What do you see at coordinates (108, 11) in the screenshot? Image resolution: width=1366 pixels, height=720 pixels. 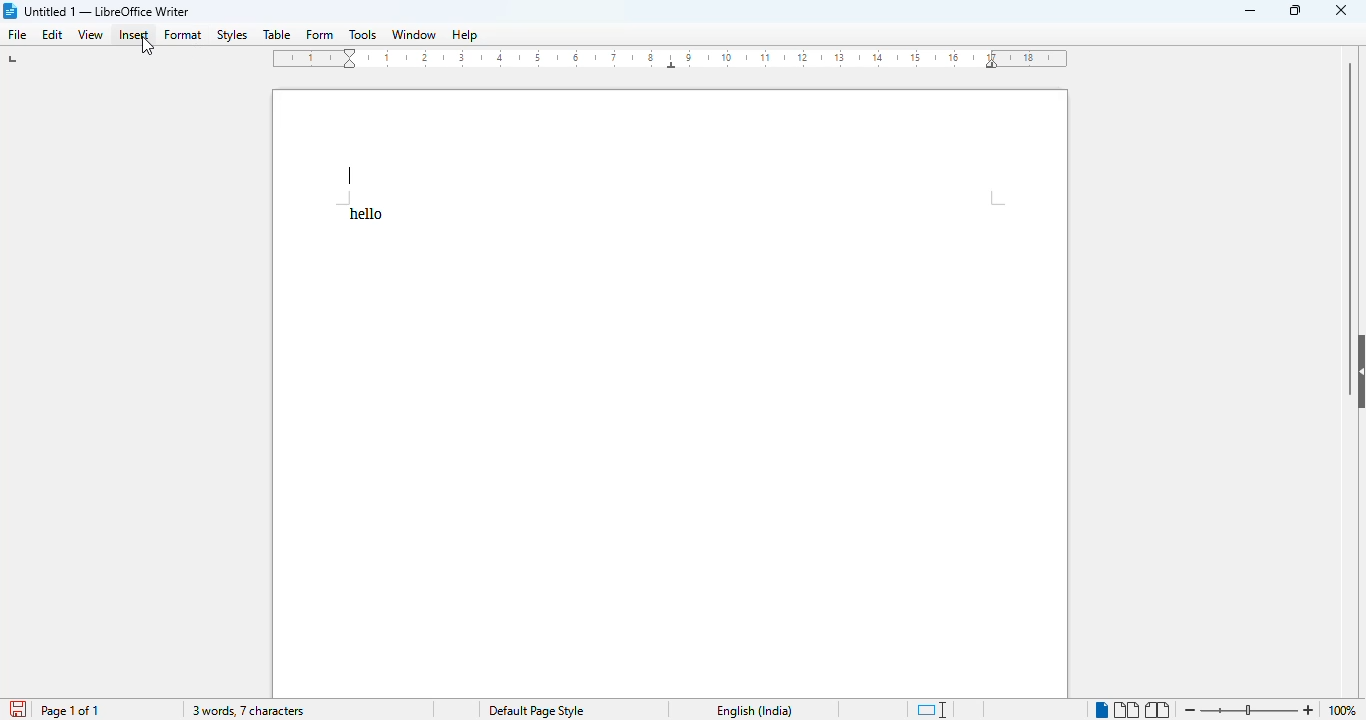 I see `title` at bounding box center [108, 11].